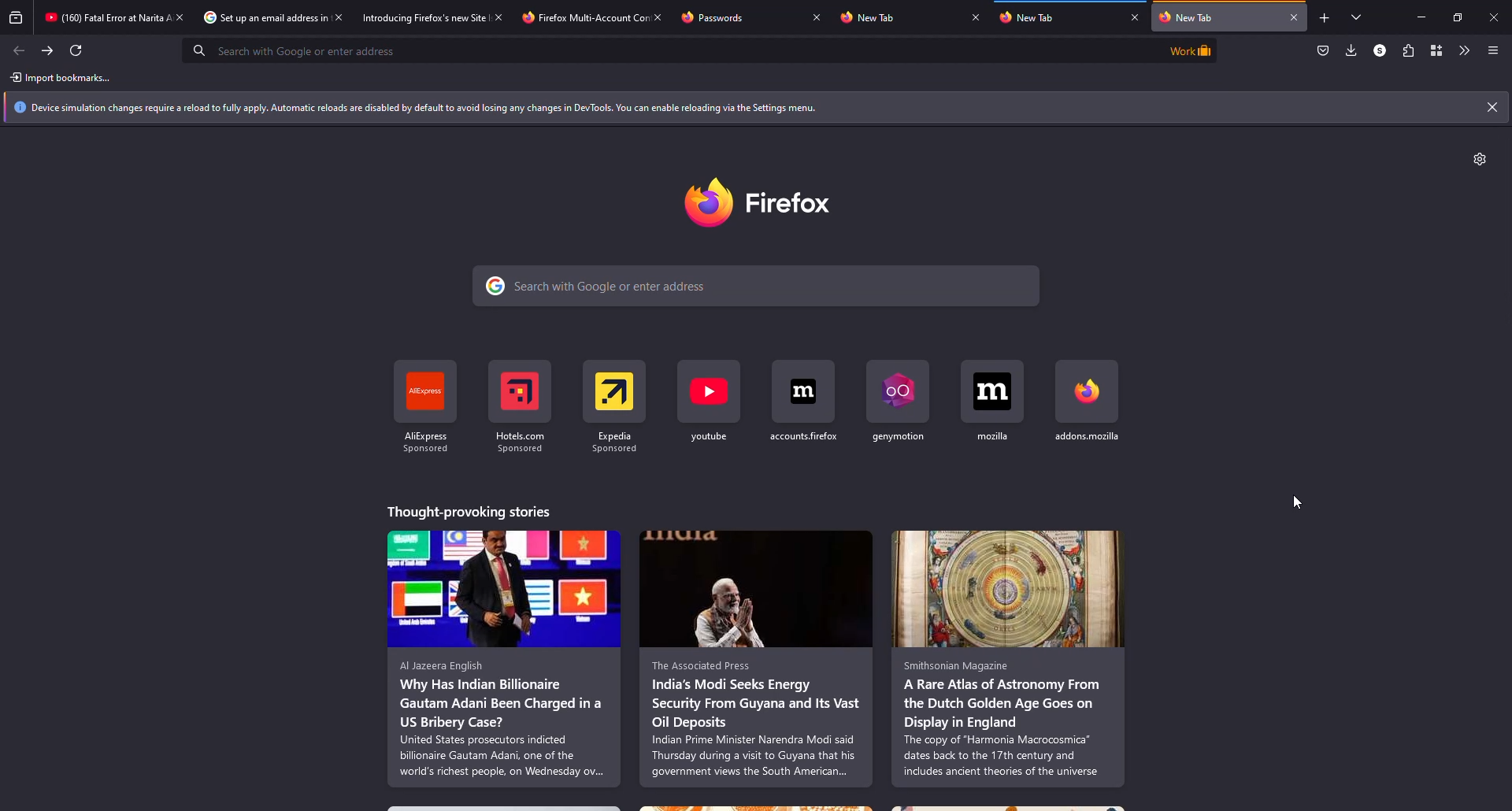 The width and height of the screenshot is (1512, 811). Describe the element at coordinates (1496, 15) in the screenshot. I see `close` at that location.